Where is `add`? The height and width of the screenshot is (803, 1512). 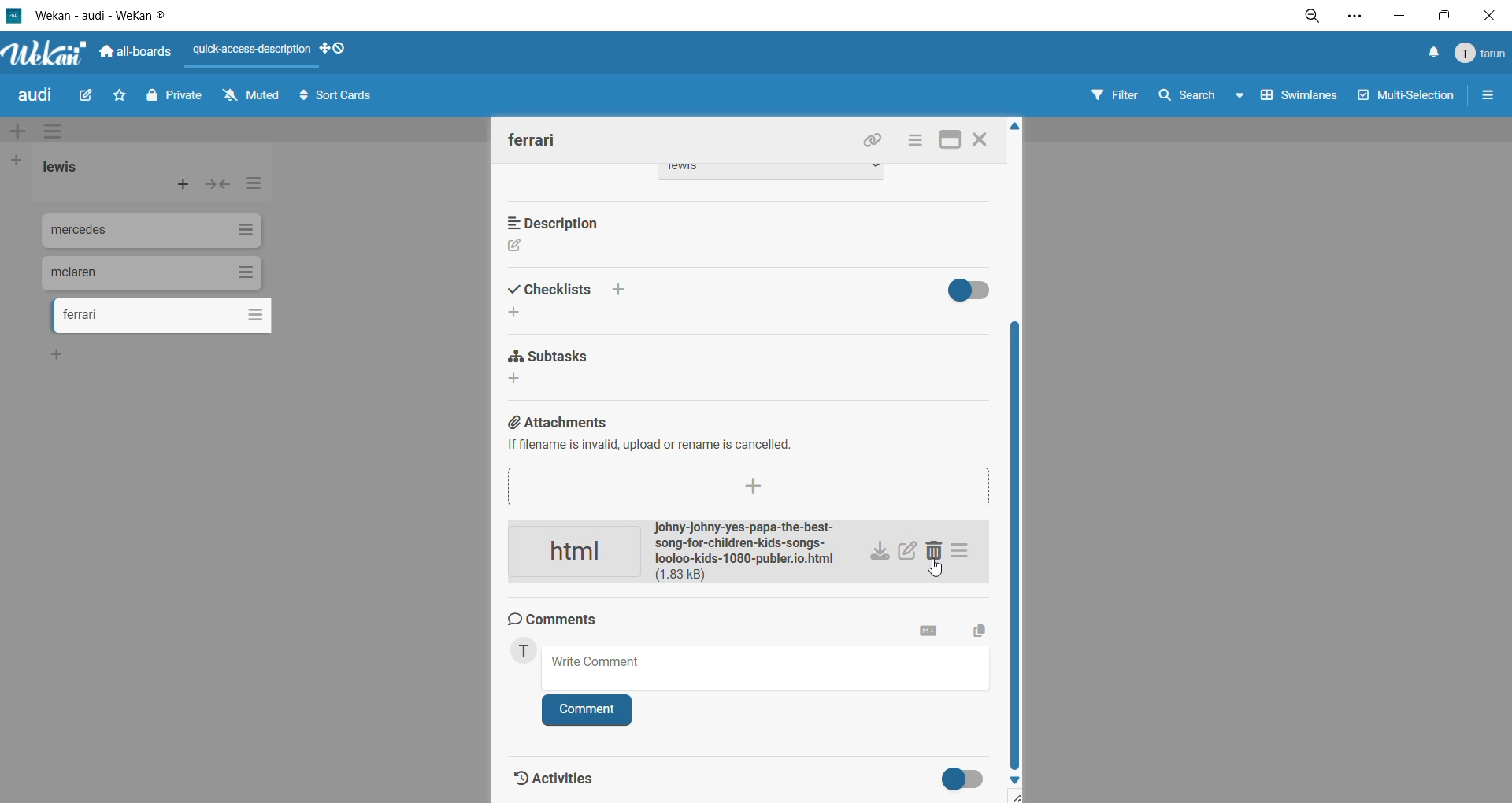
add is located at coordinates (518, 380).